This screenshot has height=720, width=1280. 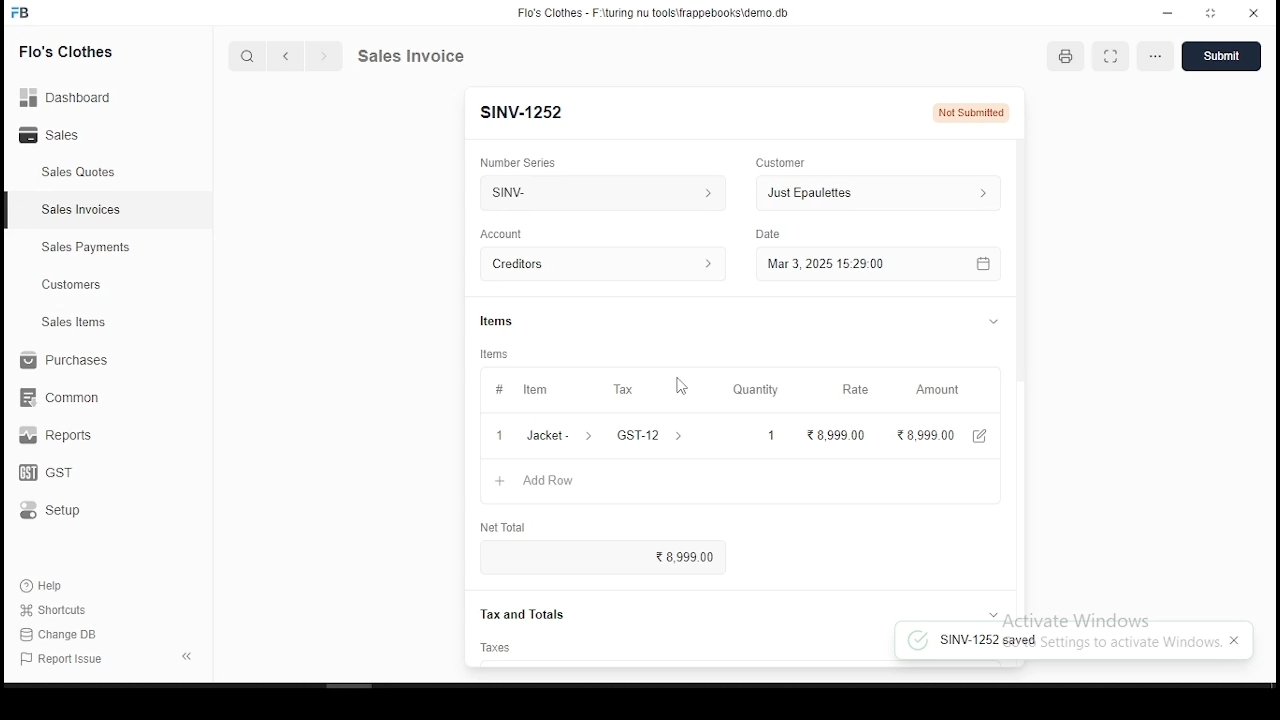 I want to click on 28,999.00, so click(x=930, y=434).